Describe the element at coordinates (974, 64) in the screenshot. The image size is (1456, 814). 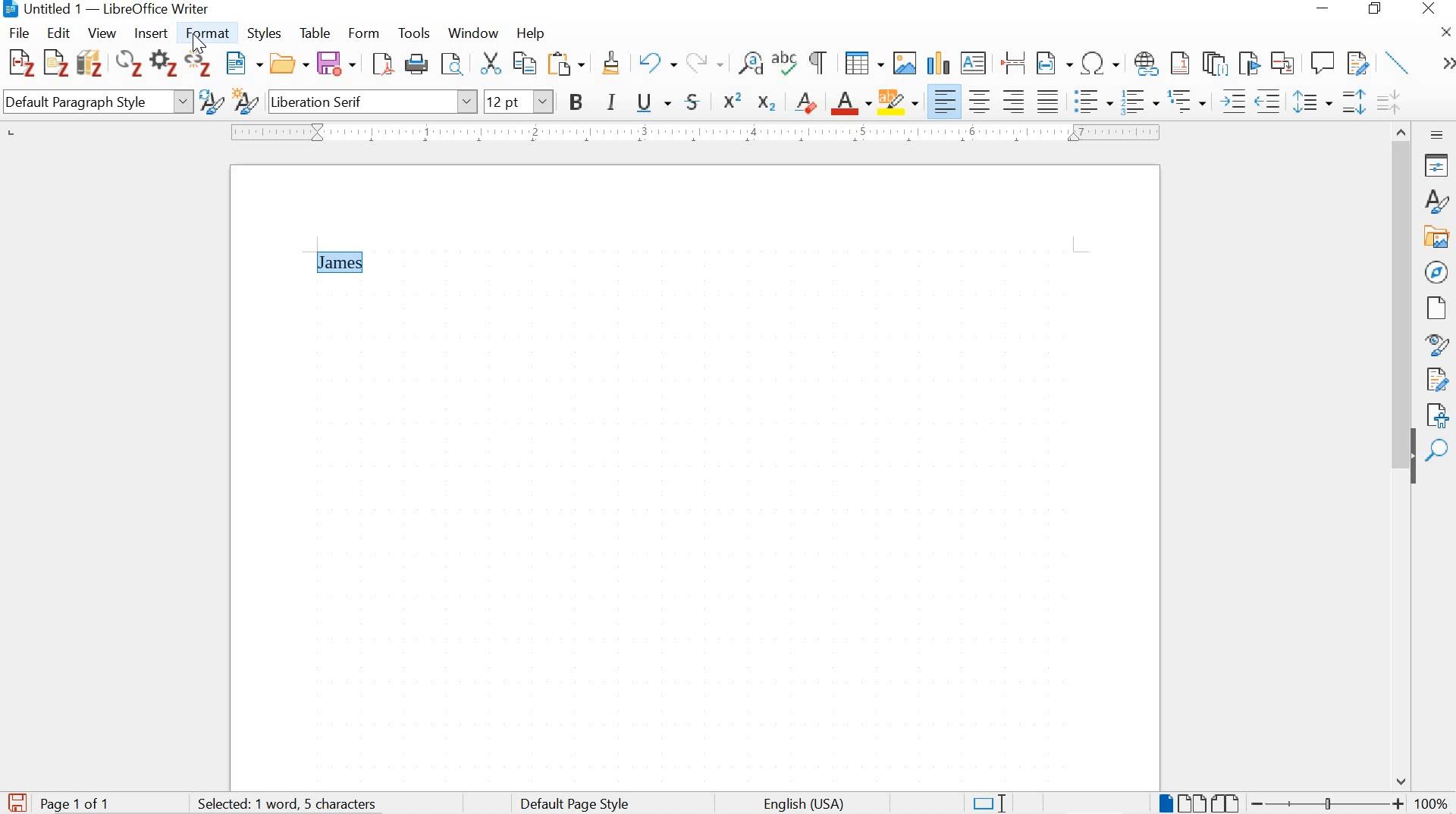
I see `insert text box` at that location.